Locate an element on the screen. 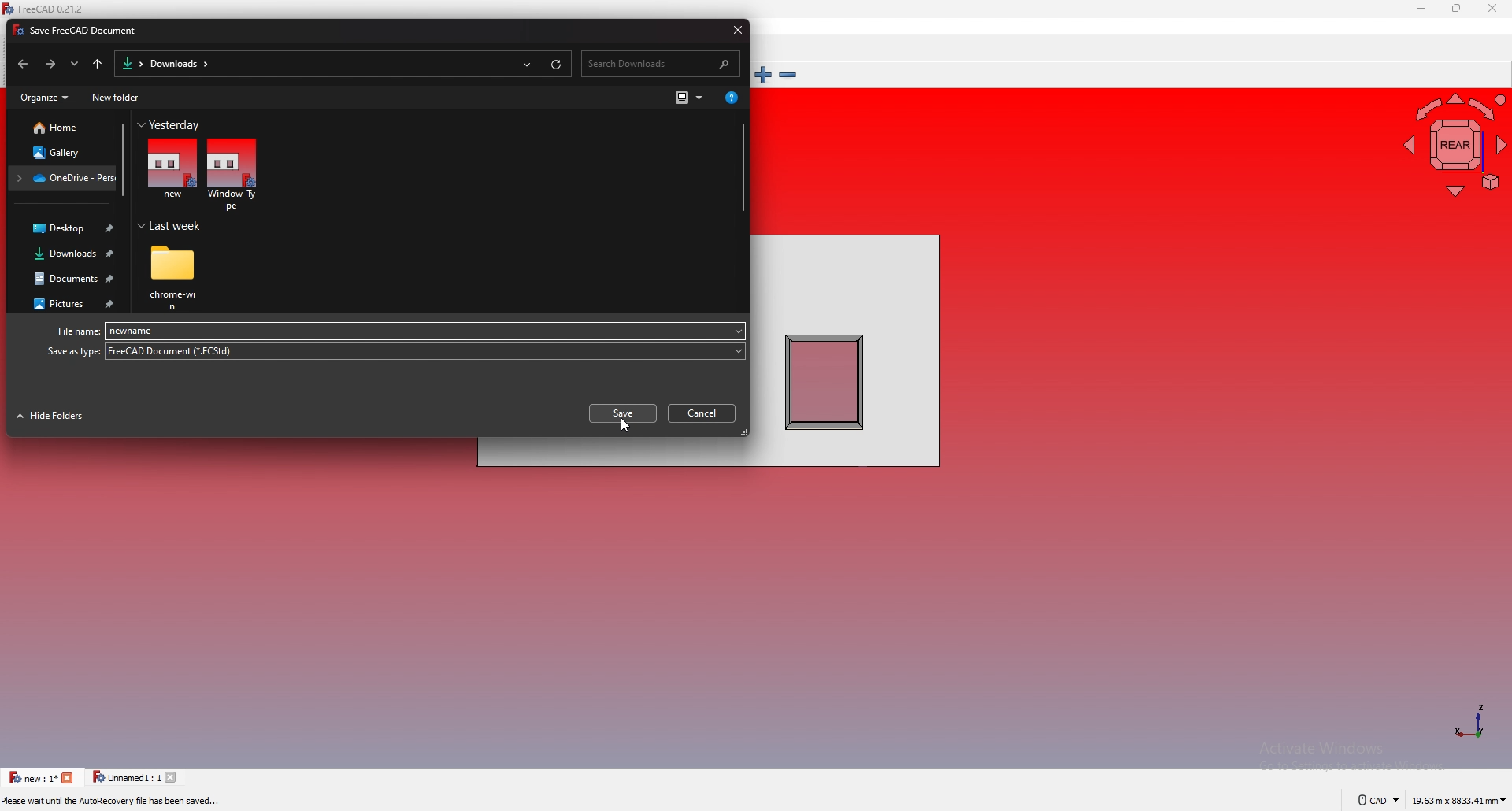 The image size is (1512, 811). folder is located at coordinates (65, 180).